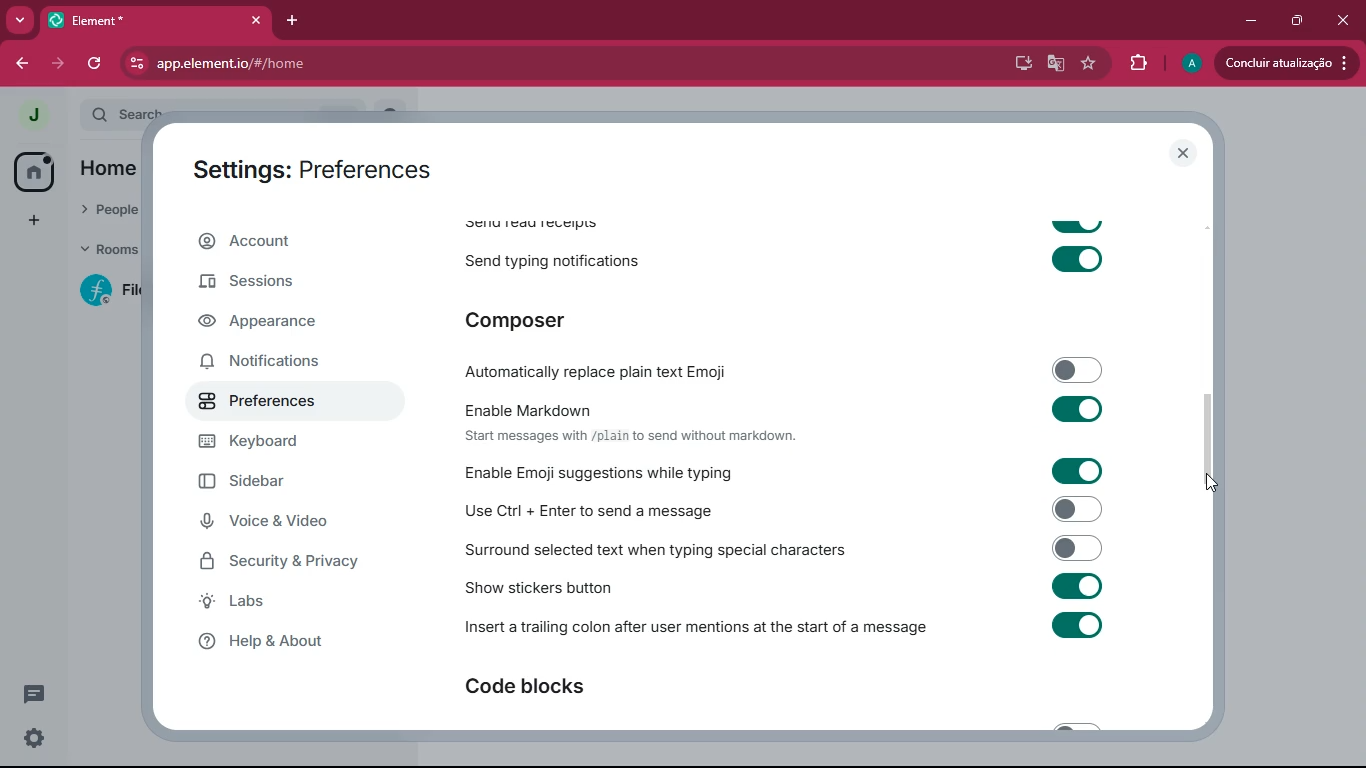 The width and height of the screenshot is (1366, 768). Describe the element at coordinates (153, 20) in the screenshot. I see `tab` at that location.